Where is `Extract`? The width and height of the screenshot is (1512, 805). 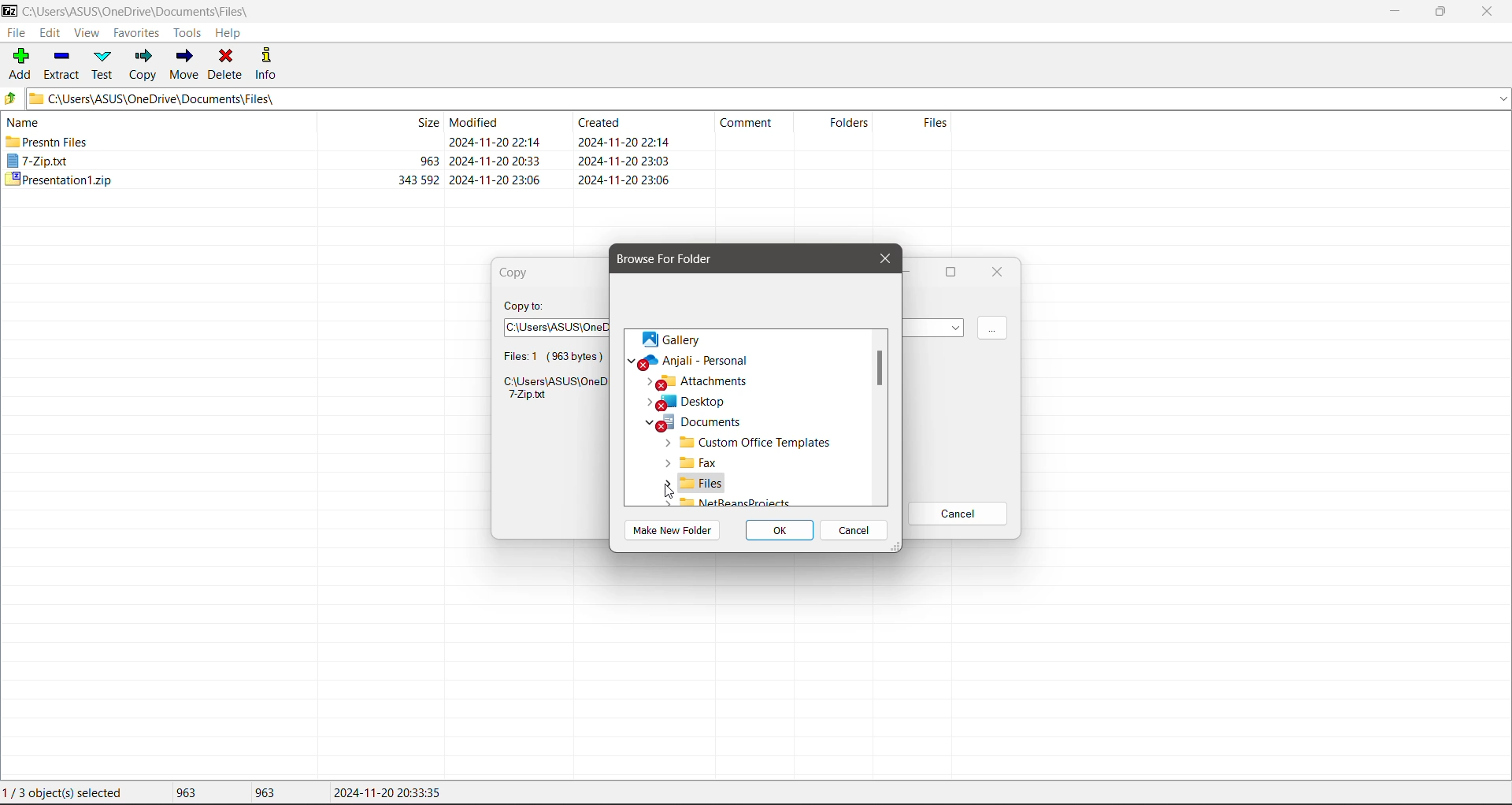 Extract is located at coordinates (61, 63).